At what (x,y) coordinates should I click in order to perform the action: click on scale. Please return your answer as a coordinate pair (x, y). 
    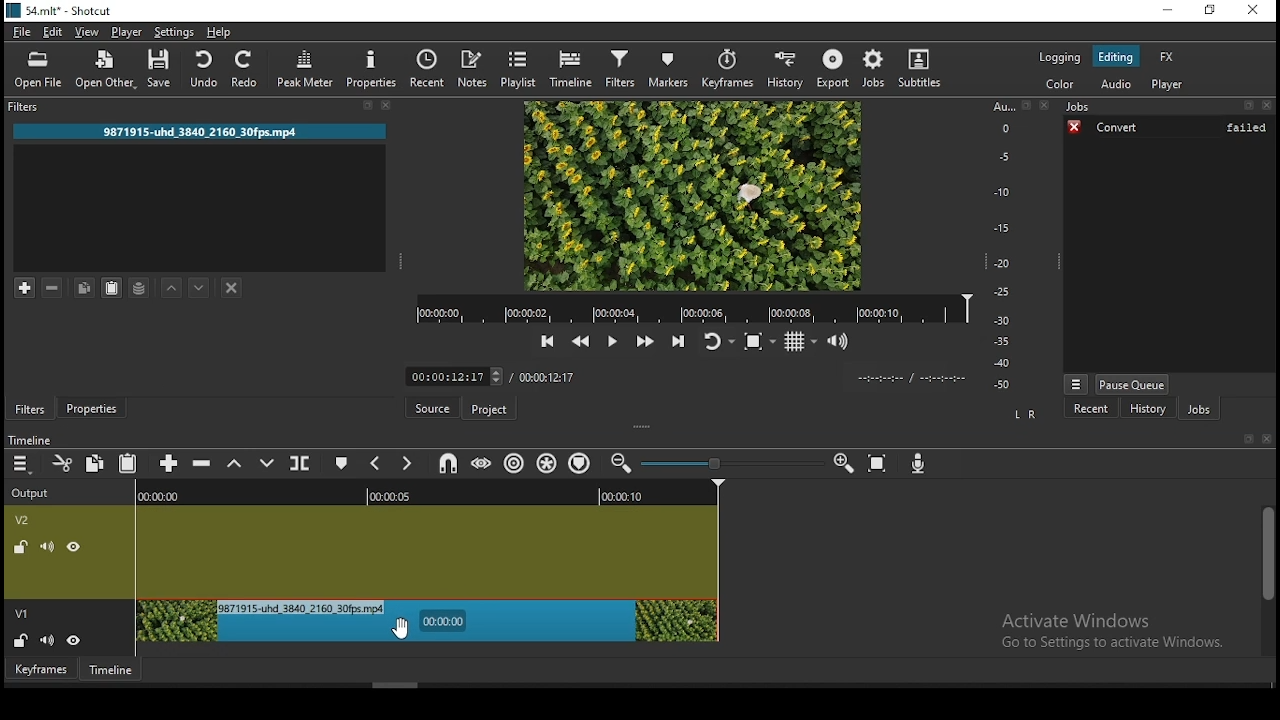
    Looking at the image, I should click on (1004, 245).